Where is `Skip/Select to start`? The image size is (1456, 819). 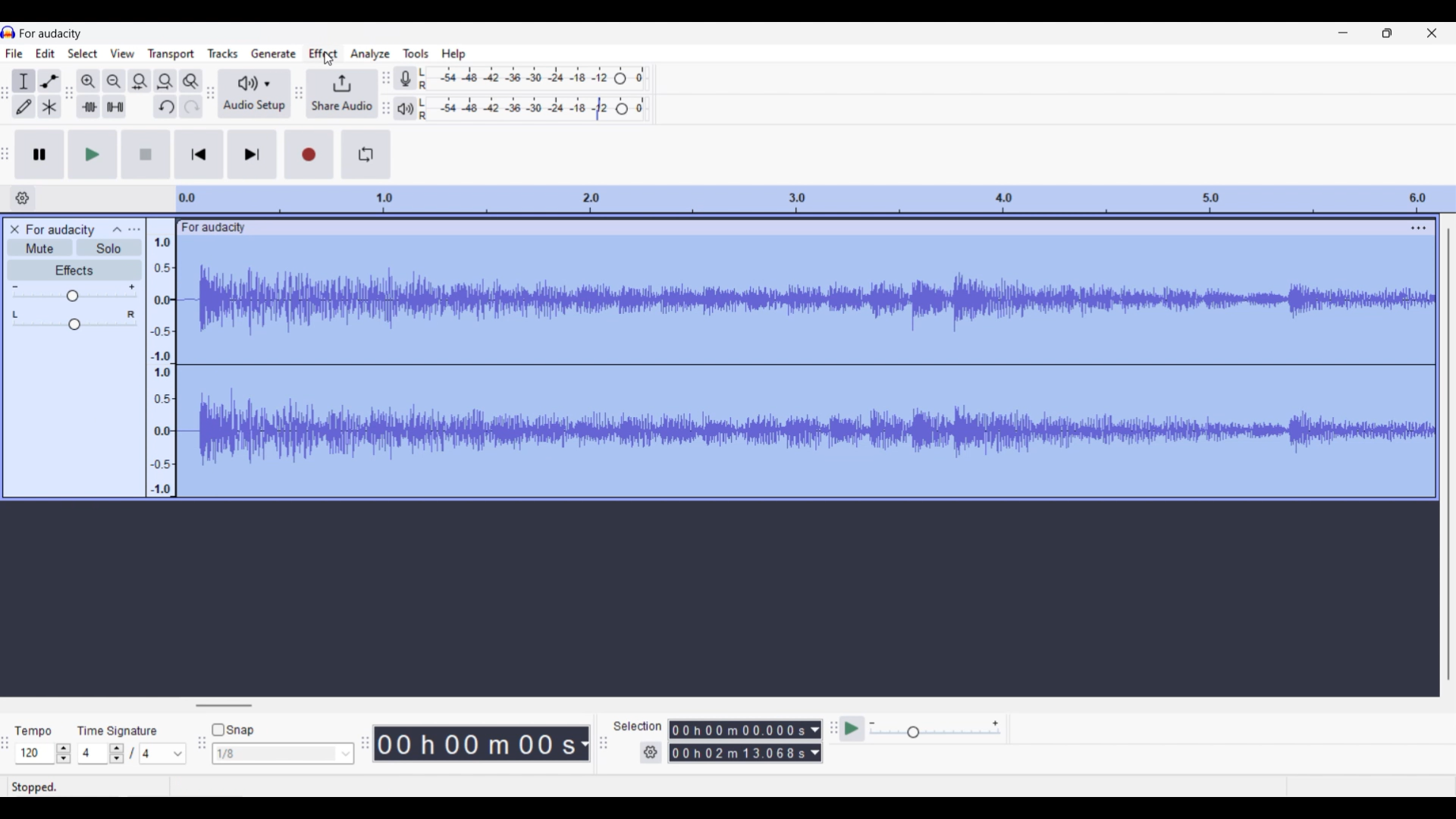
Skip/Select to start is located at coordinates (199, 155).